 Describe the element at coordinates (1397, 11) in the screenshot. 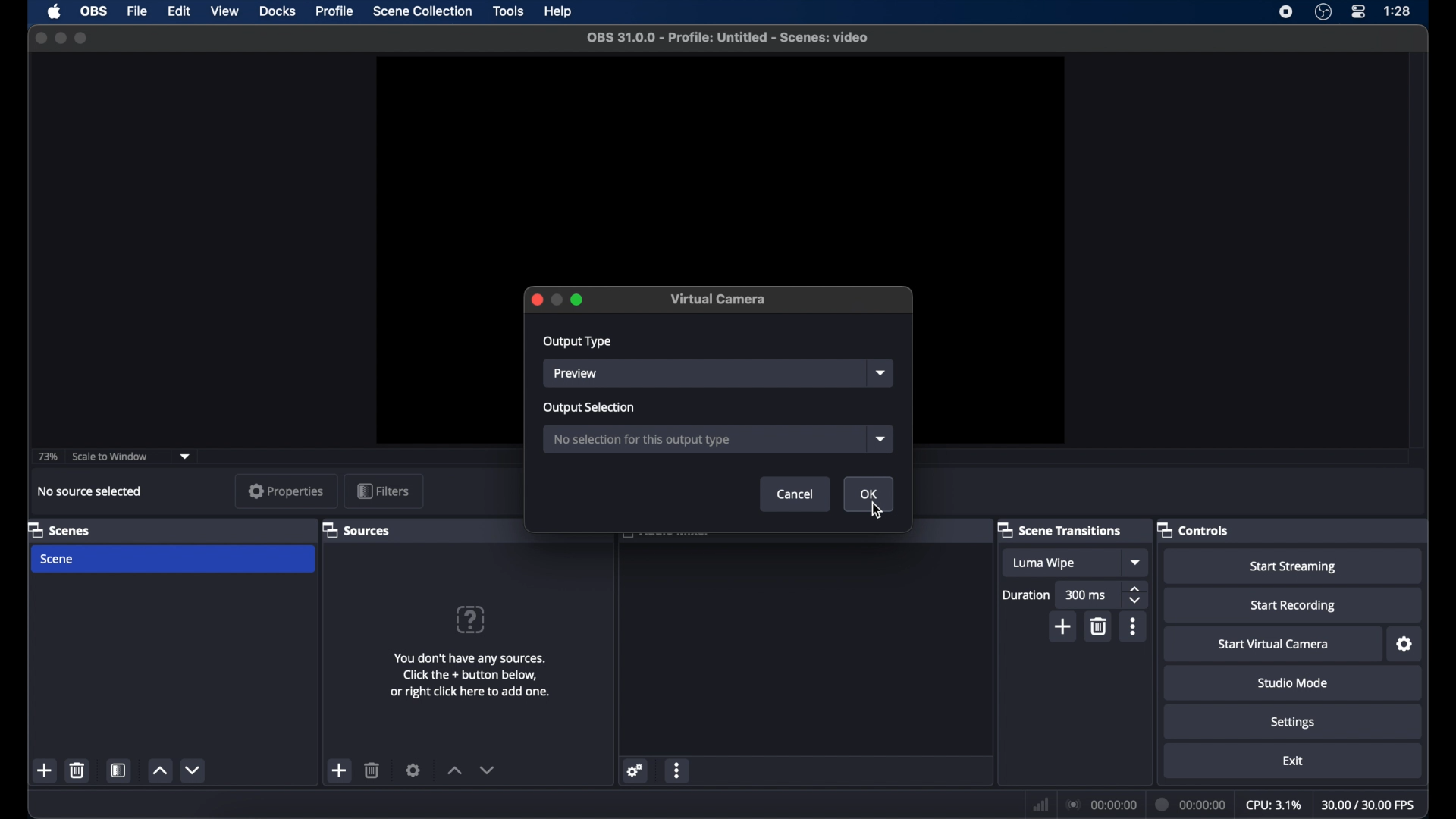

I see `time` at that location.